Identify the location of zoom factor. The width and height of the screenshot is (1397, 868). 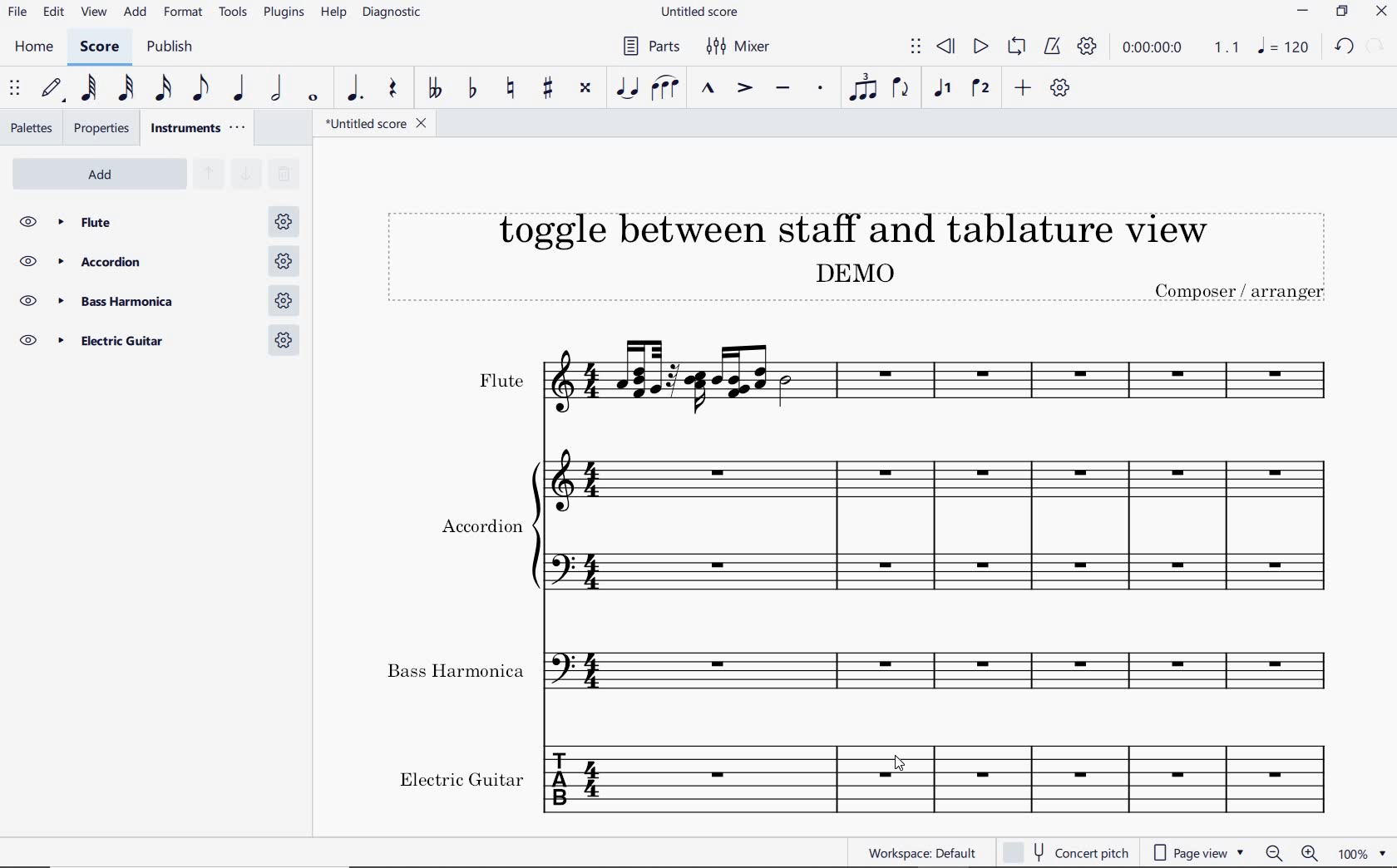
(1360, 854).